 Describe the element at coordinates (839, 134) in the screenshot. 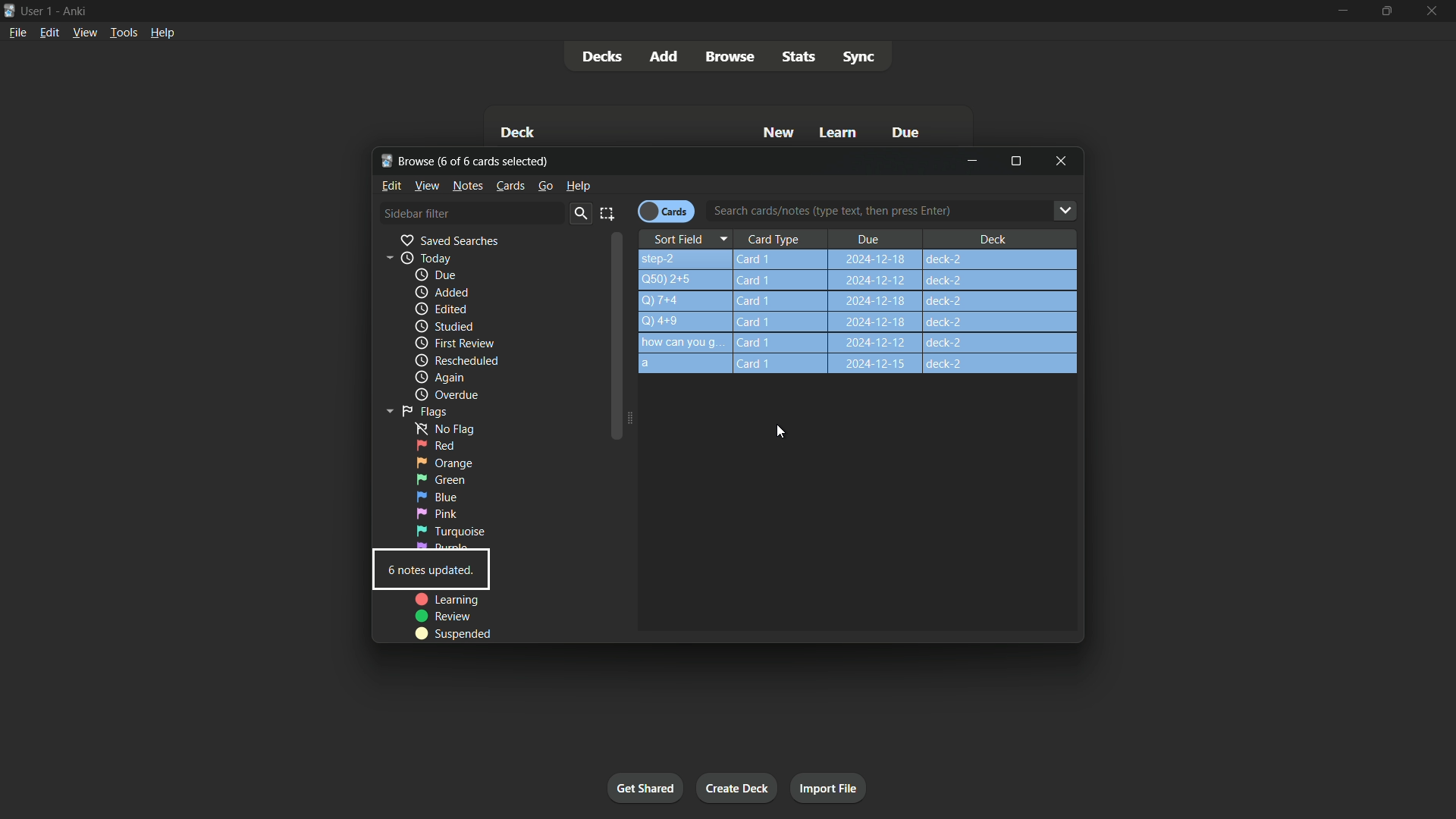

I see `Learn` at that location.